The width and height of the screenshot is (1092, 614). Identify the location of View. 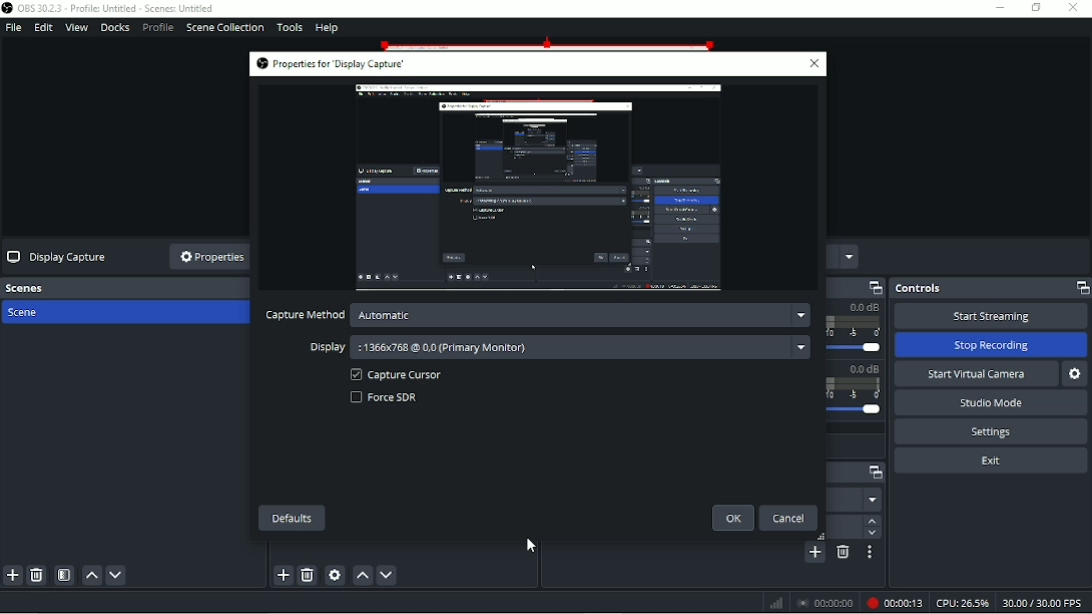
(76, 27).